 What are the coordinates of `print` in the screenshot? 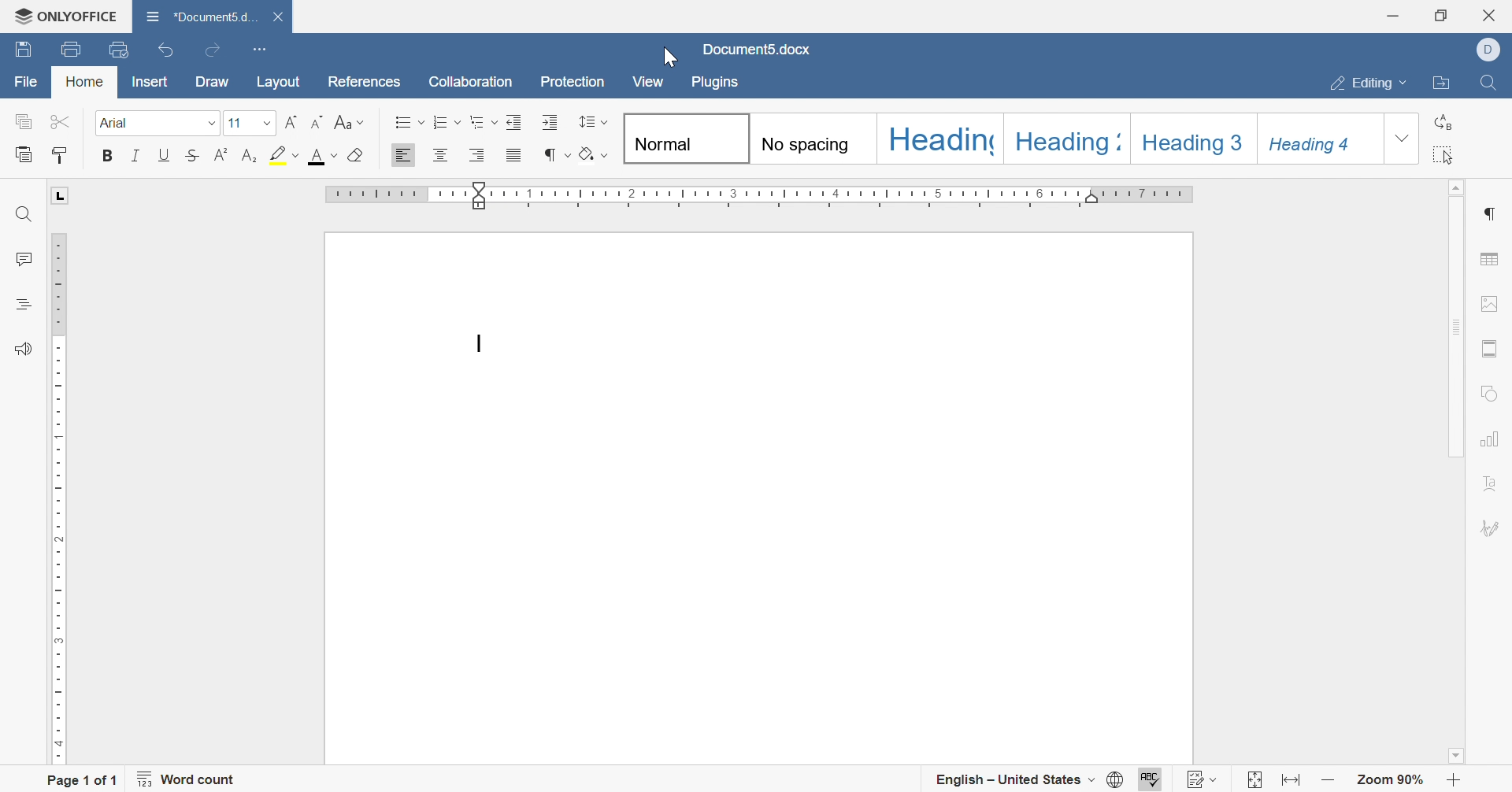 It's located at (74, 49).